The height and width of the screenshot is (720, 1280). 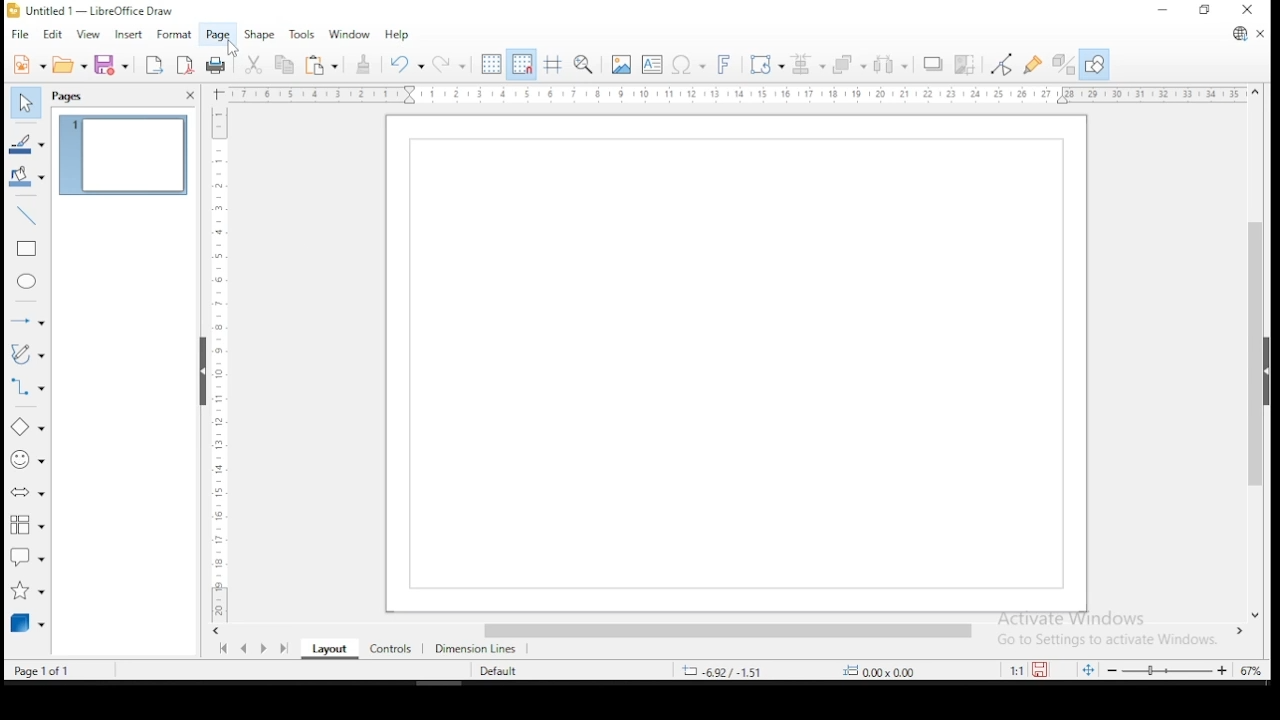 I want to click on snap to grids, so click(x=524, y=66).